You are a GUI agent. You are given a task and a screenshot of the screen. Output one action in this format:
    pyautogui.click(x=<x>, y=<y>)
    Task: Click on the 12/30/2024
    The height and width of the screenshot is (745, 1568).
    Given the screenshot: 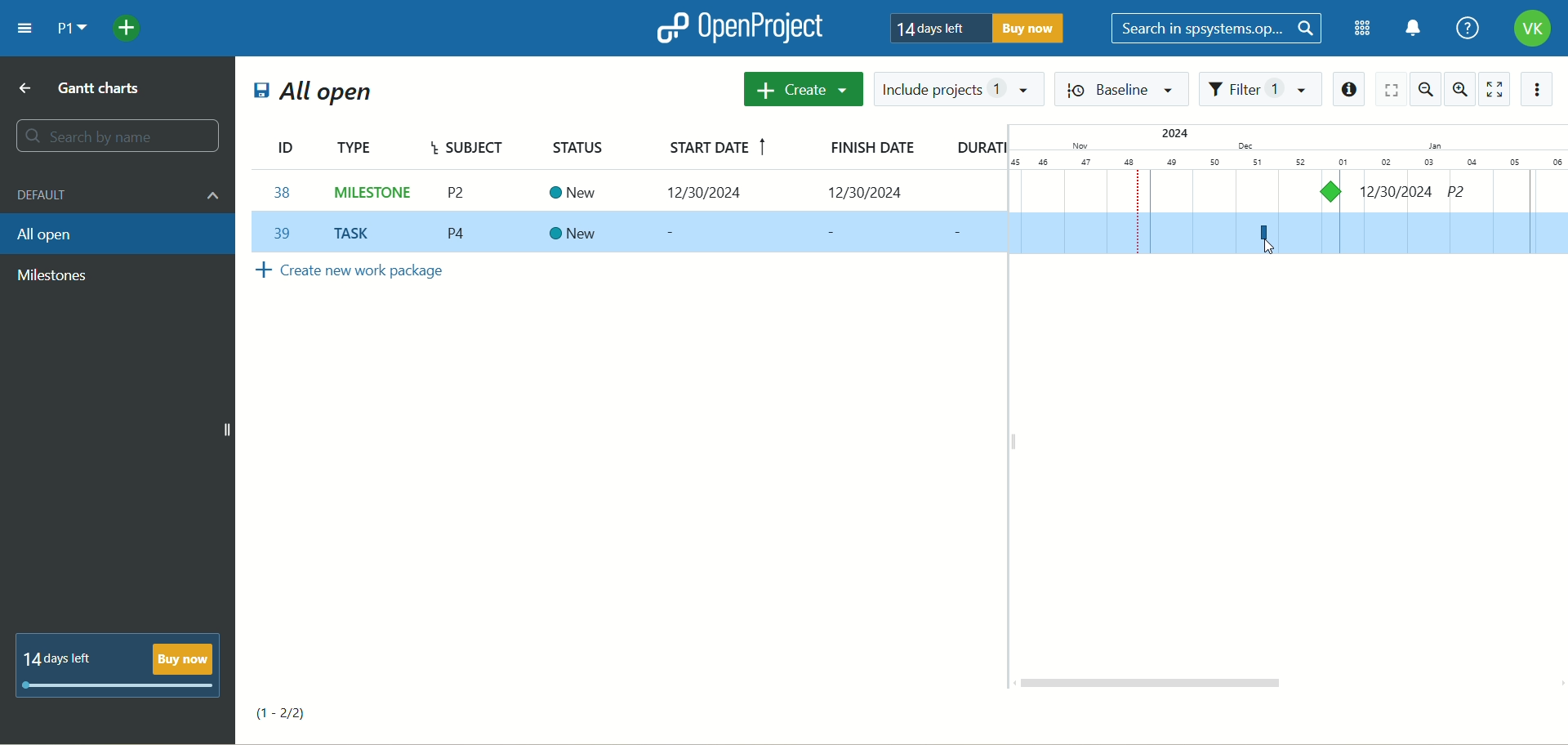 What is the action you would take?
    pyautogui.click(x=1397, y=191)
    